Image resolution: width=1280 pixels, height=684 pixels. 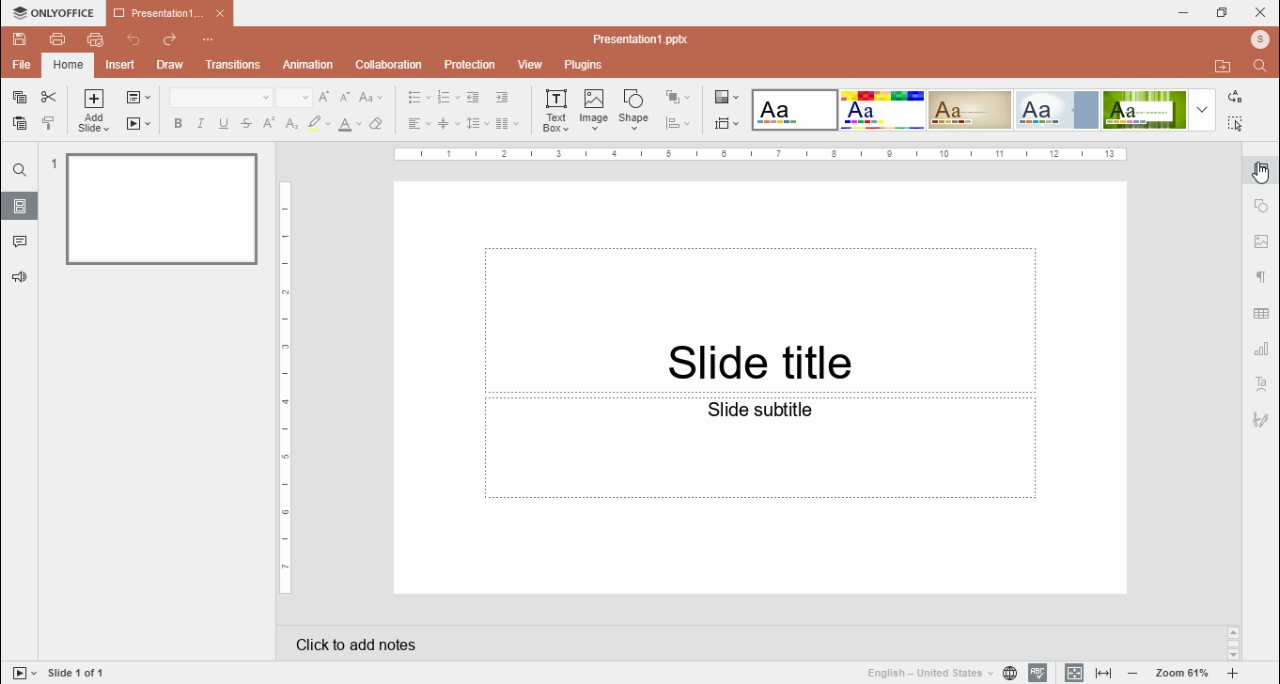 I want to click on decrement font size, so click(x=347, y=97).